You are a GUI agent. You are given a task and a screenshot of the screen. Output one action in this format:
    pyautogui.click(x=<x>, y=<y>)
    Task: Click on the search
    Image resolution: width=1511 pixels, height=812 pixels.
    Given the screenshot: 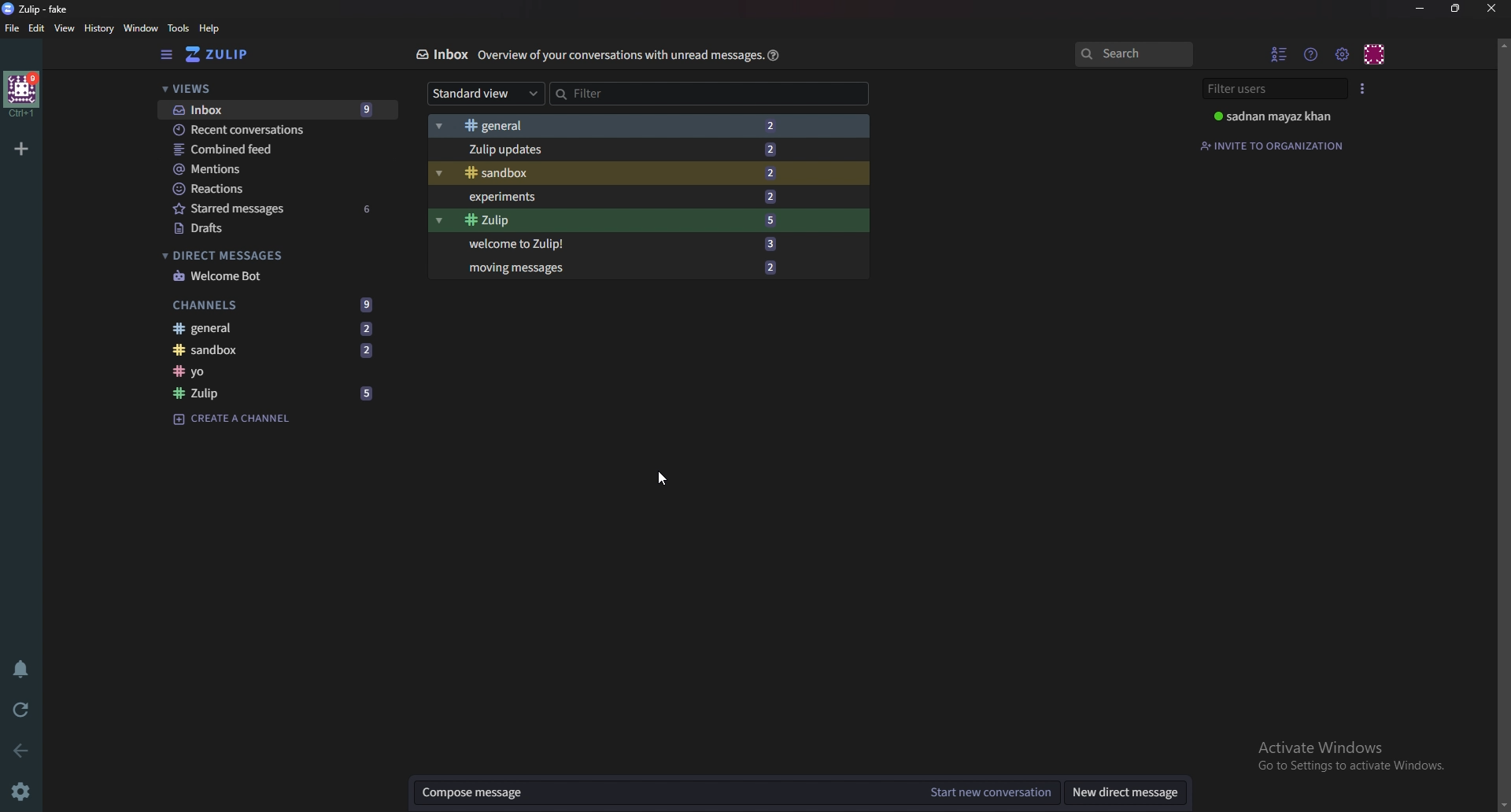 What is the action you would take?
    pyautogui.click(x=1134, y=54)
    